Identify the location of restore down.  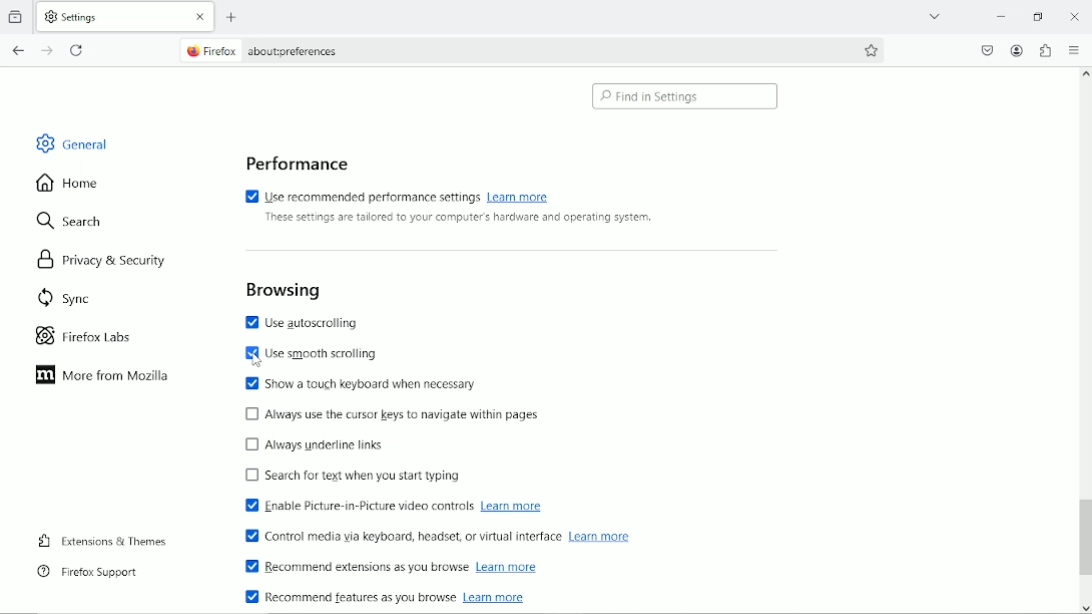
(1040, 15).